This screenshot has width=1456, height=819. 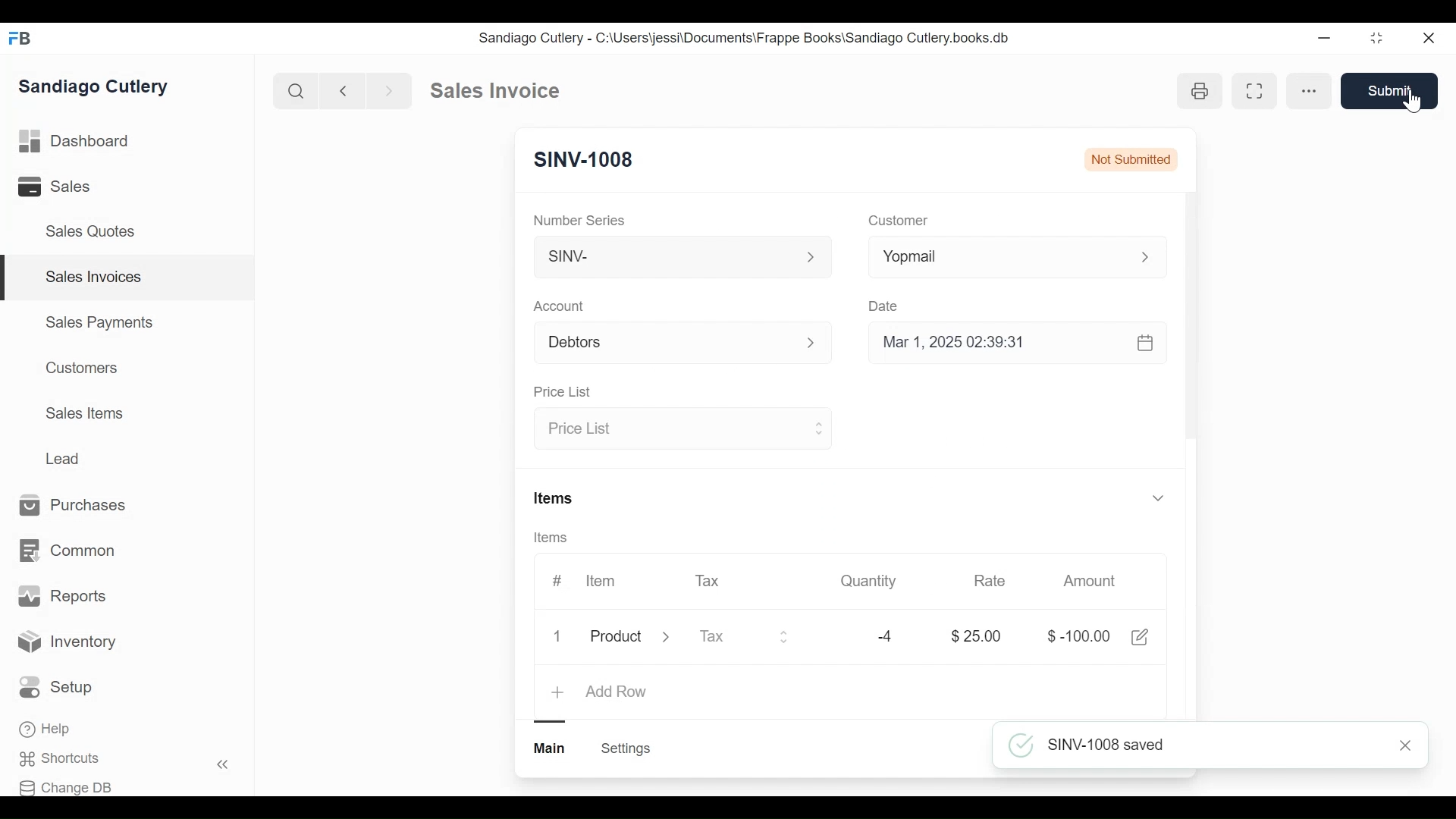 I want to click on Cursor, so click(x=1410, y=99).